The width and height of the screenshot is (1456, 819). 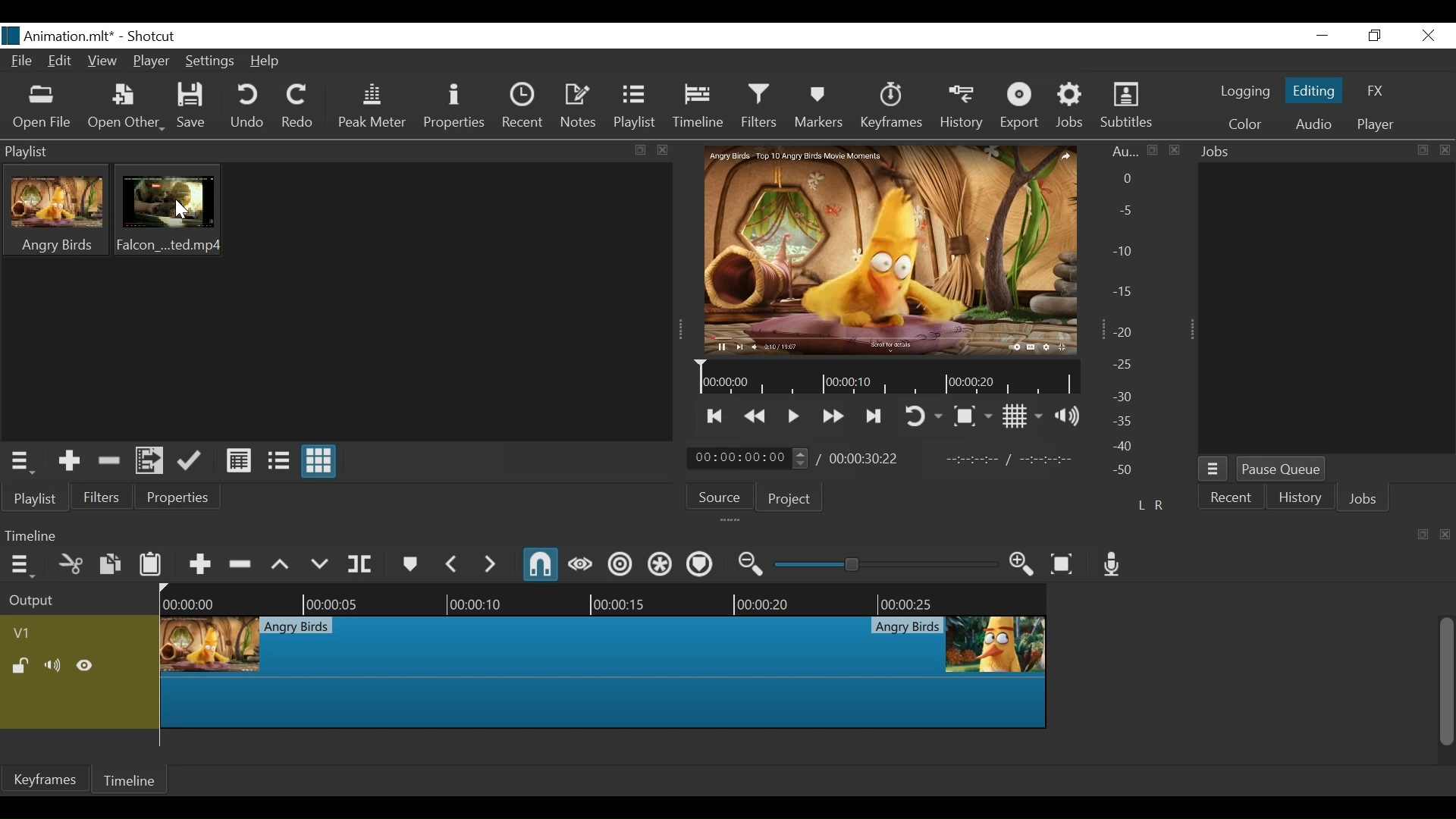 I want to click on logging, so click(x=1244, y=93).